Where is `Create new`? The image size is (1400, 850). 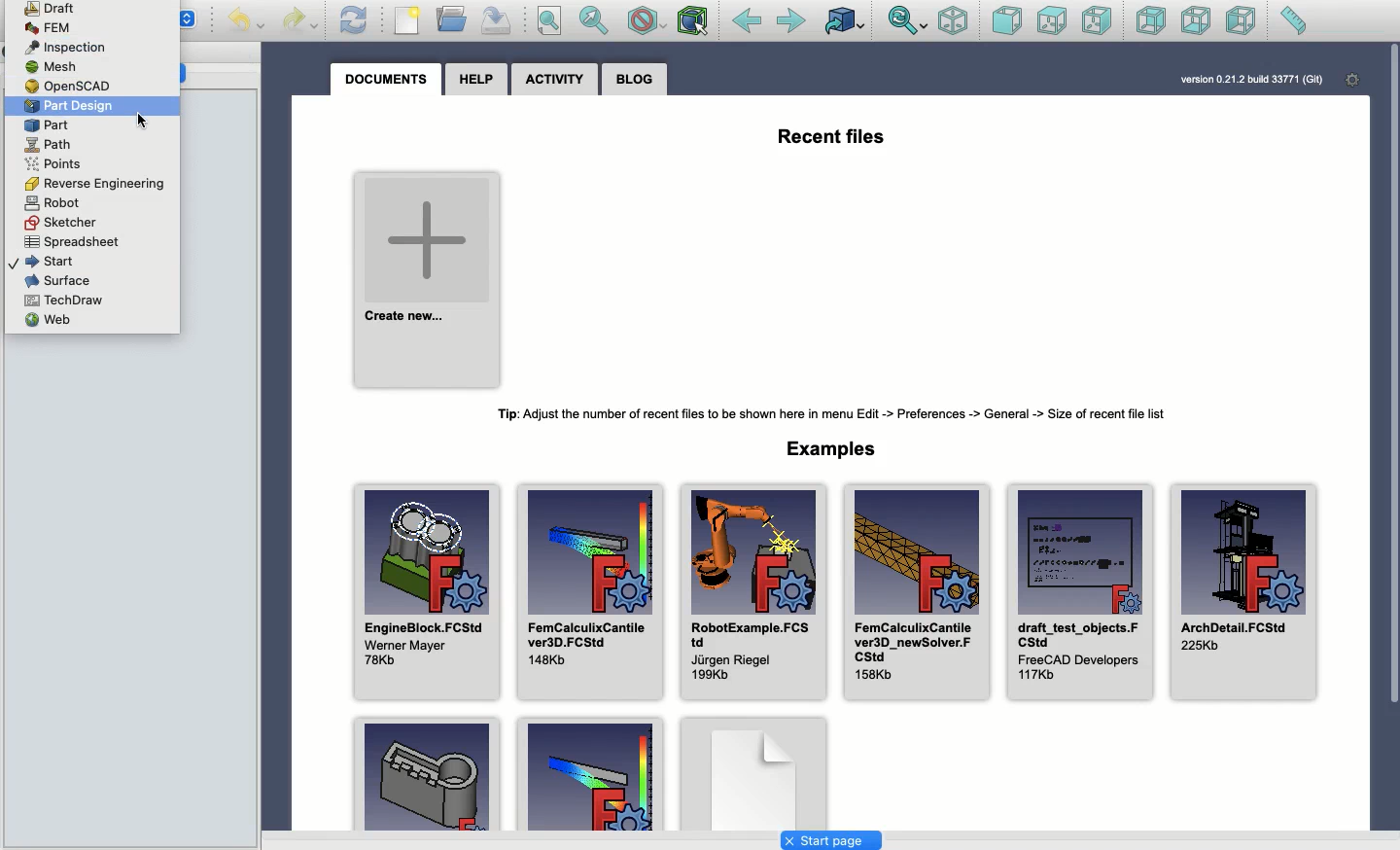
Create new is located at coordinates (429, 279).